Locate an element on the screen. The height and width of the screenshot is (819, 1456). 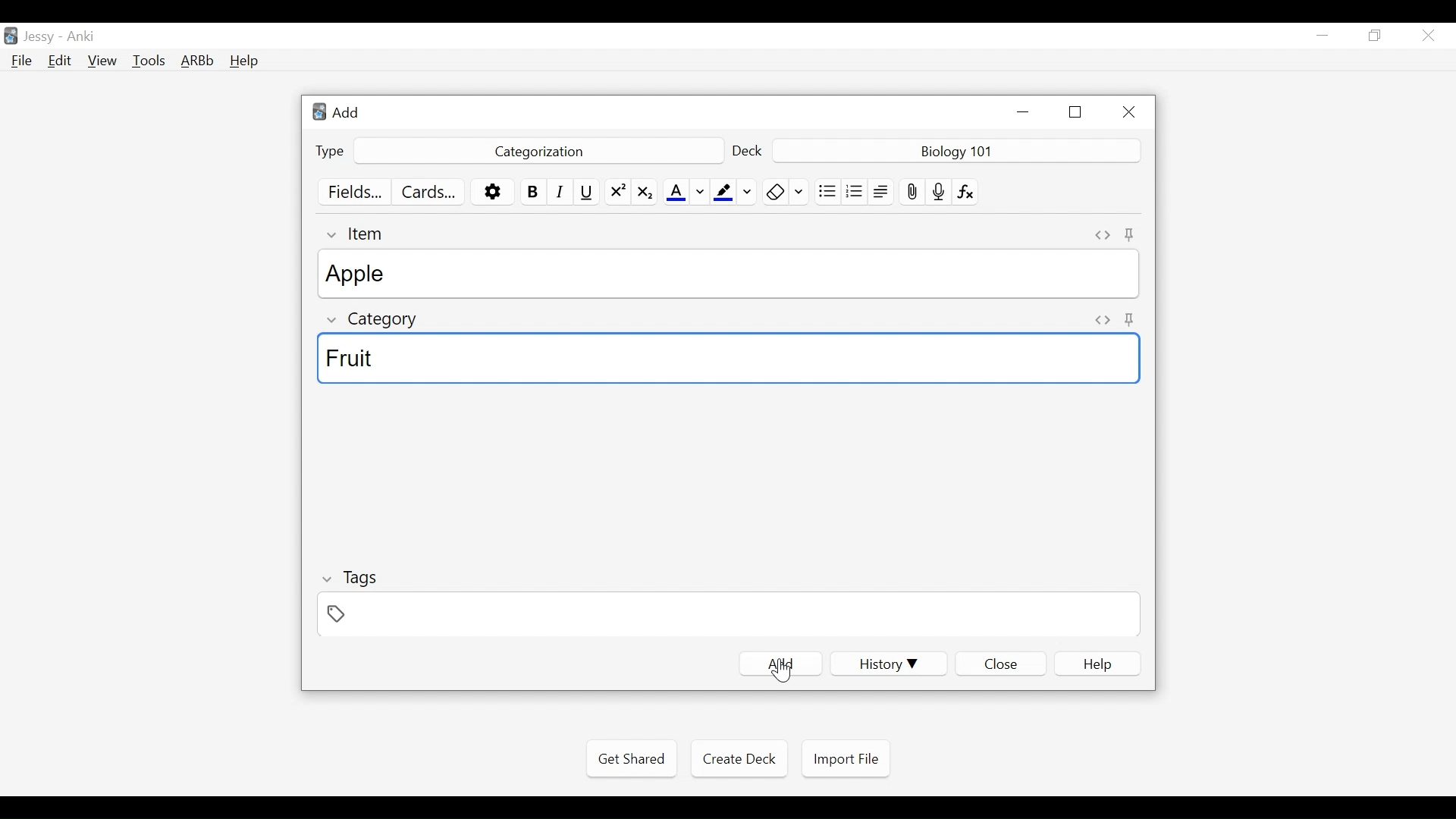
Advanced Review Button bar is located at coordinates (198, 61).